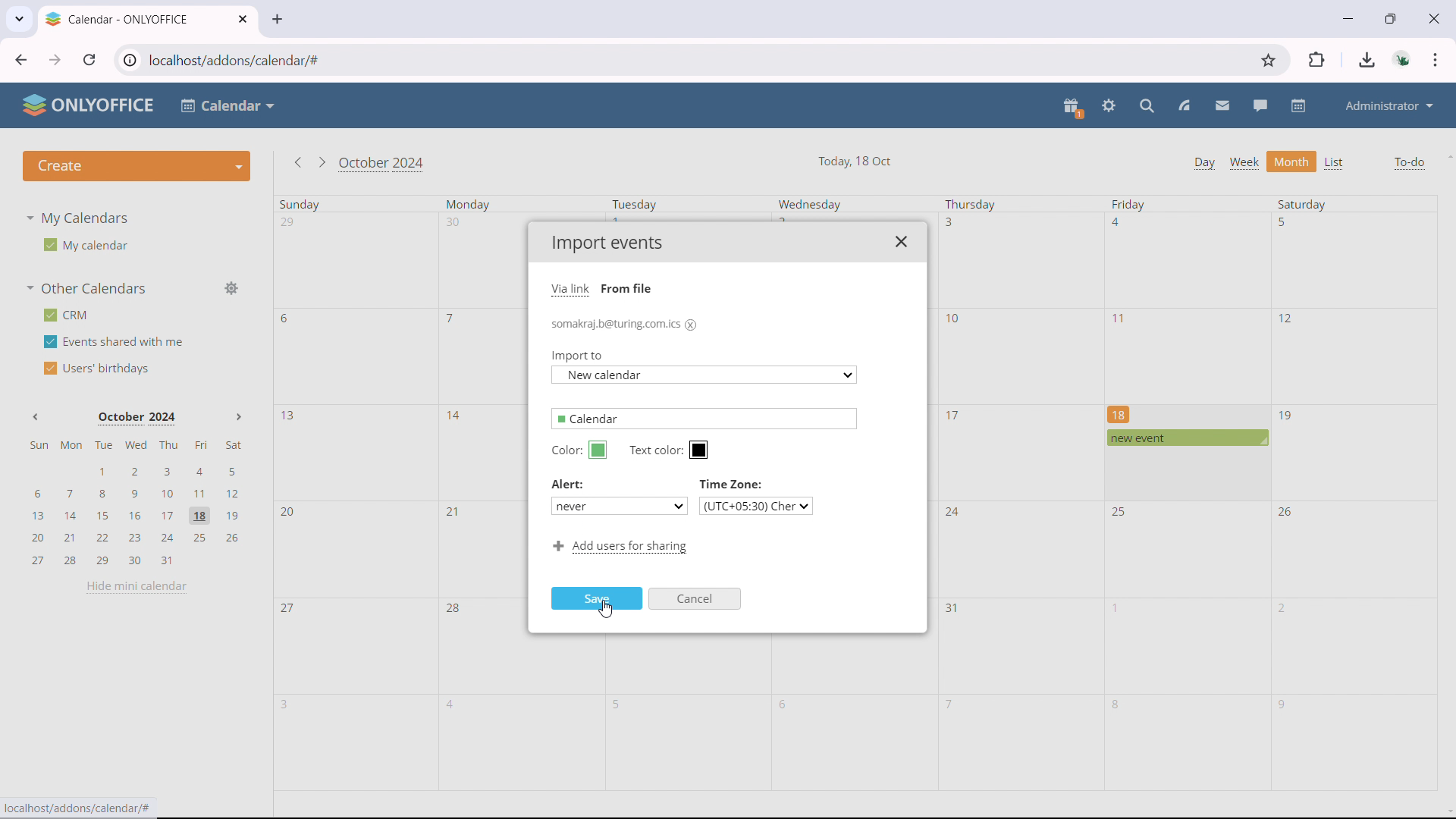 The width and height of the screenshot is (1456, 819). Describe the element at coordinates (469, 205) in the screenshot. I see `Monday` at that location.